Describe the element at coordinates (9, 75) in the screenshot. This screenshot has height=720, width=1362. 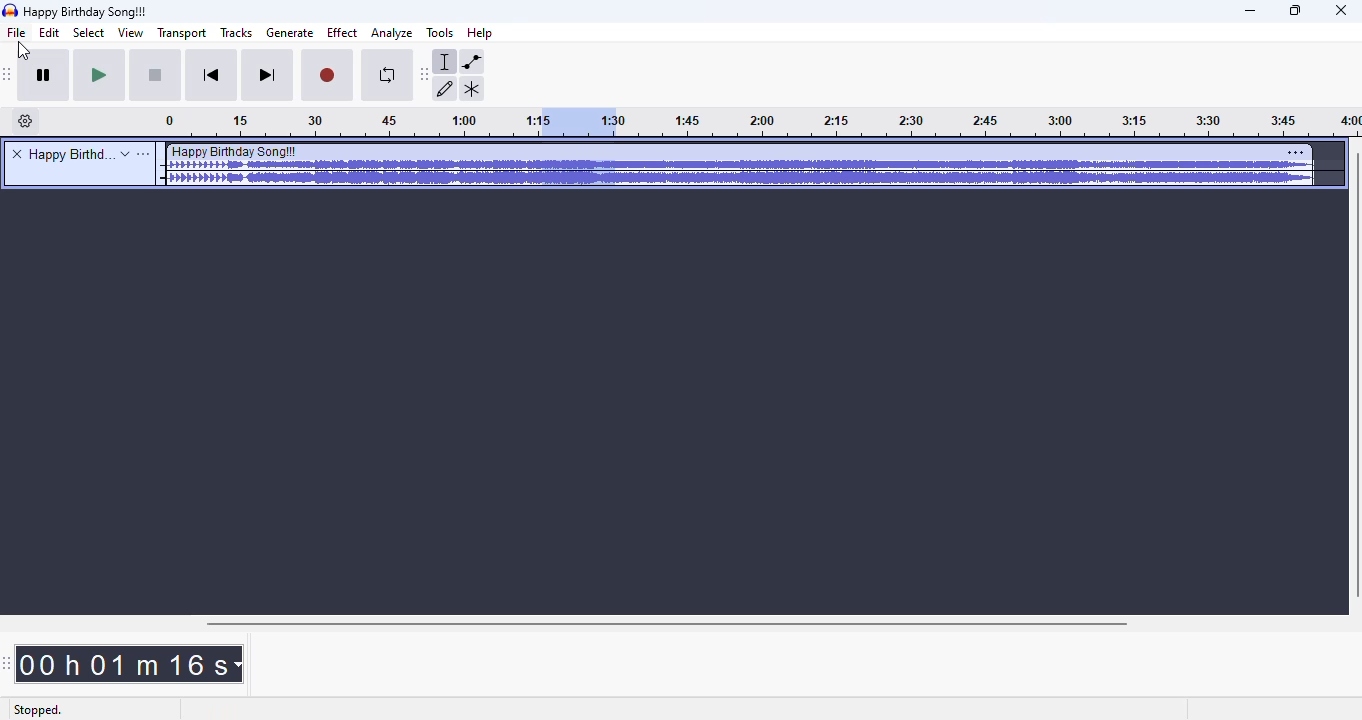
I see `audacity transport toolbar` at that location.